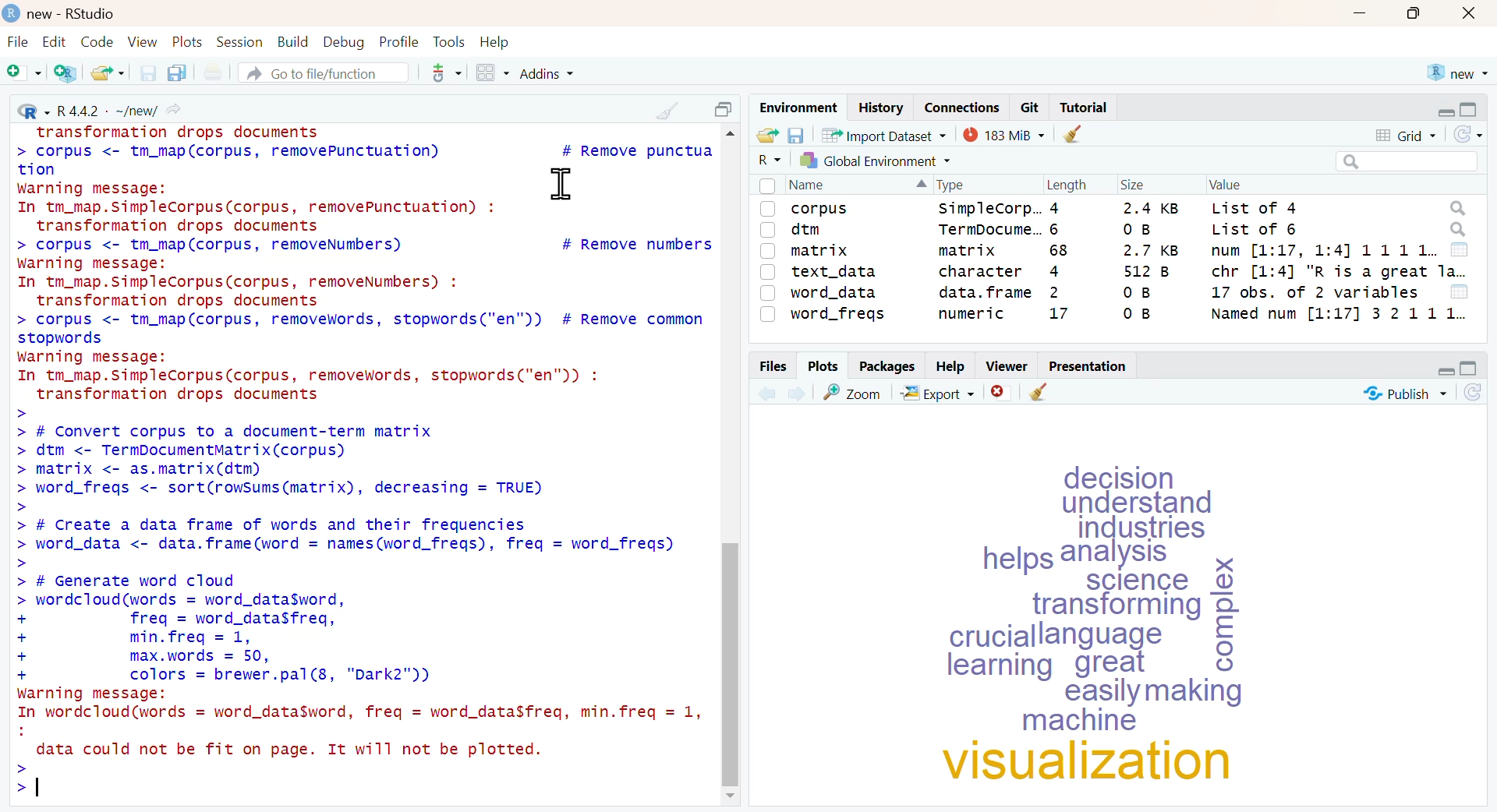 The image size is (1497, 812). What do you see at coordinates (1031, 108) in the screenshot?
I see `Git` at bounding box center [1031, 108].